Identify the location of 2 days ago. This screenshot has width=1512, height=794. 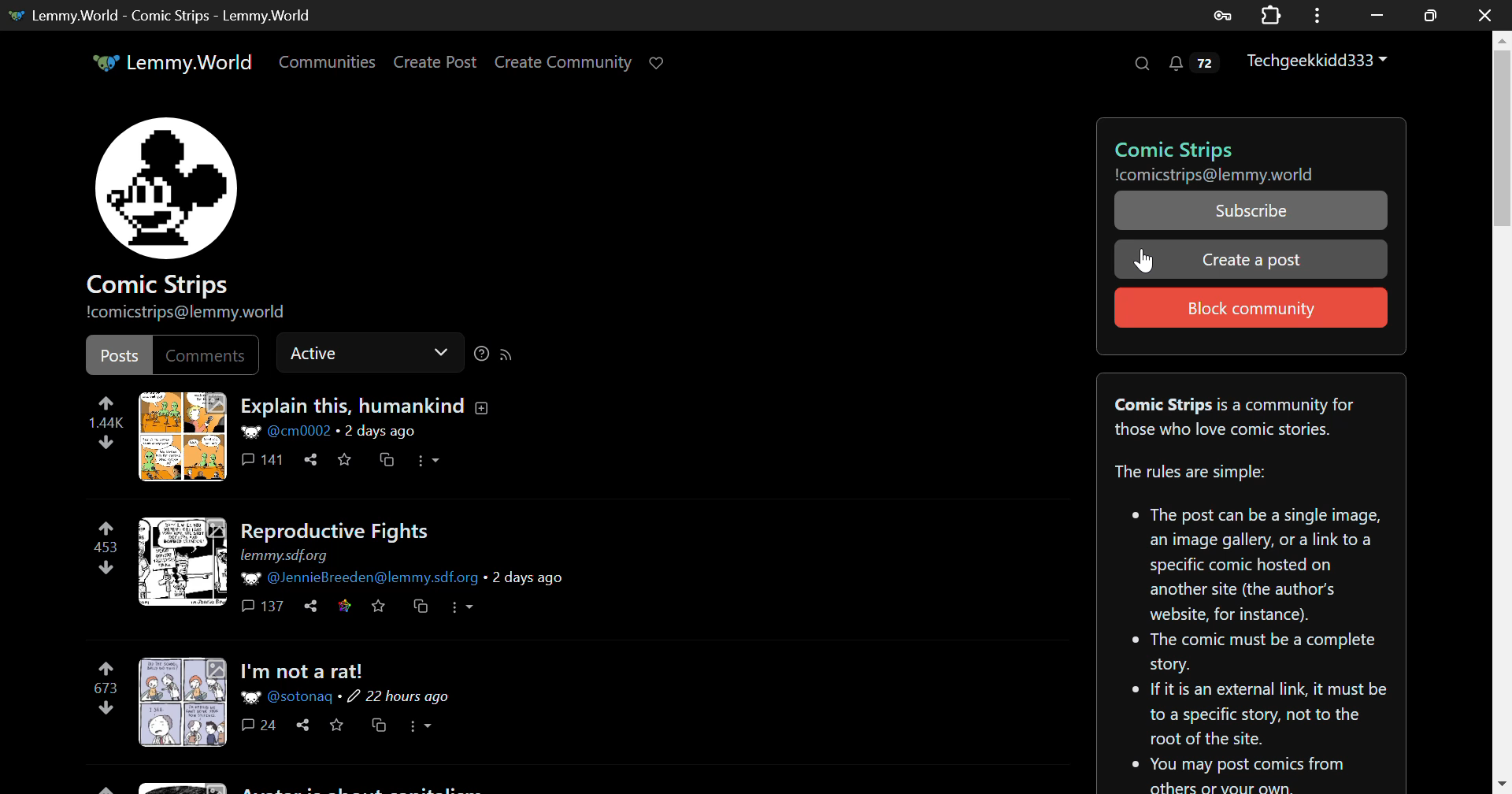
(379, 432).